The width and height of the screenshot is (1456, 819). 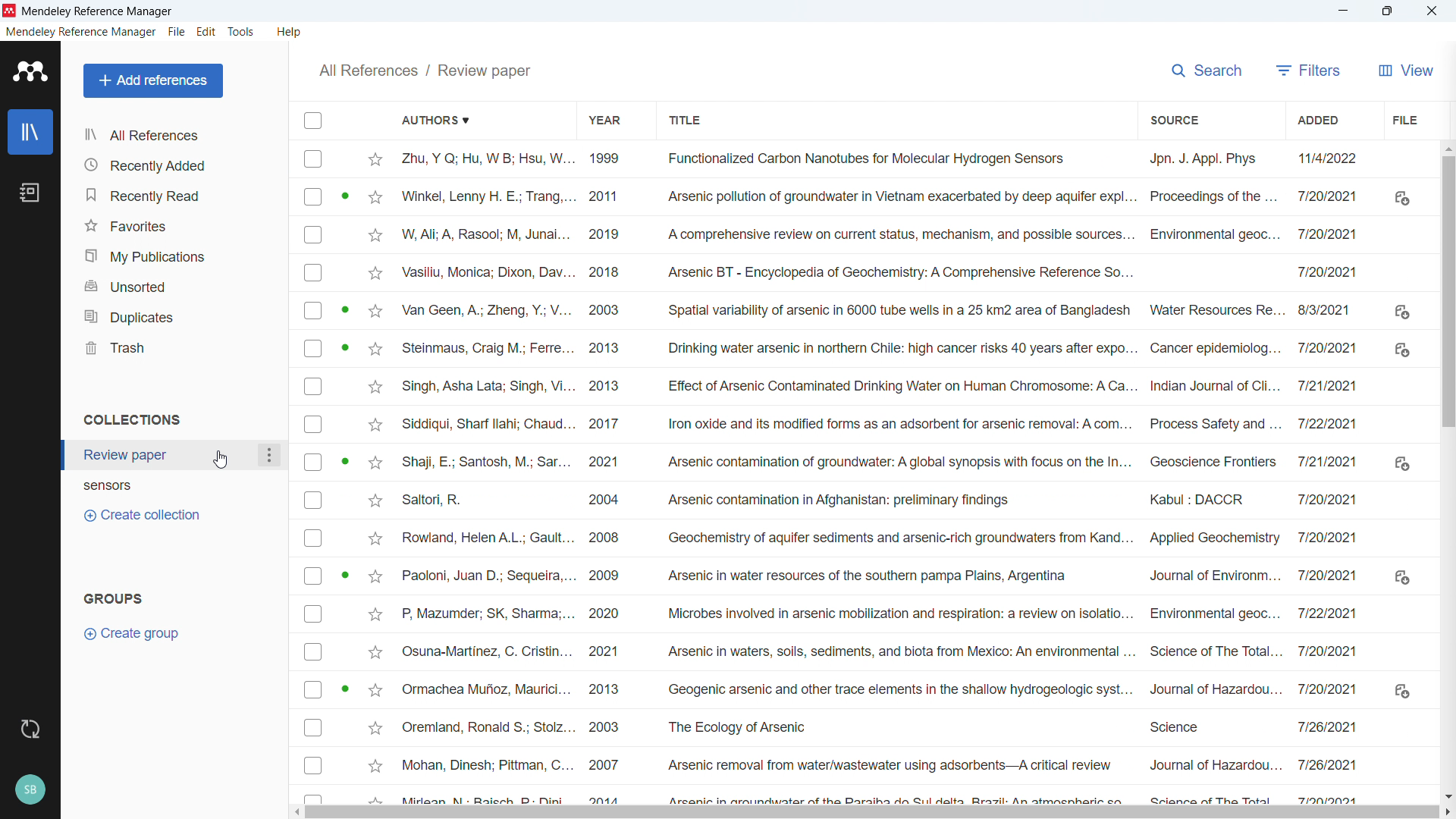 I want to click on Scroll left , so click(x=296, y=813).